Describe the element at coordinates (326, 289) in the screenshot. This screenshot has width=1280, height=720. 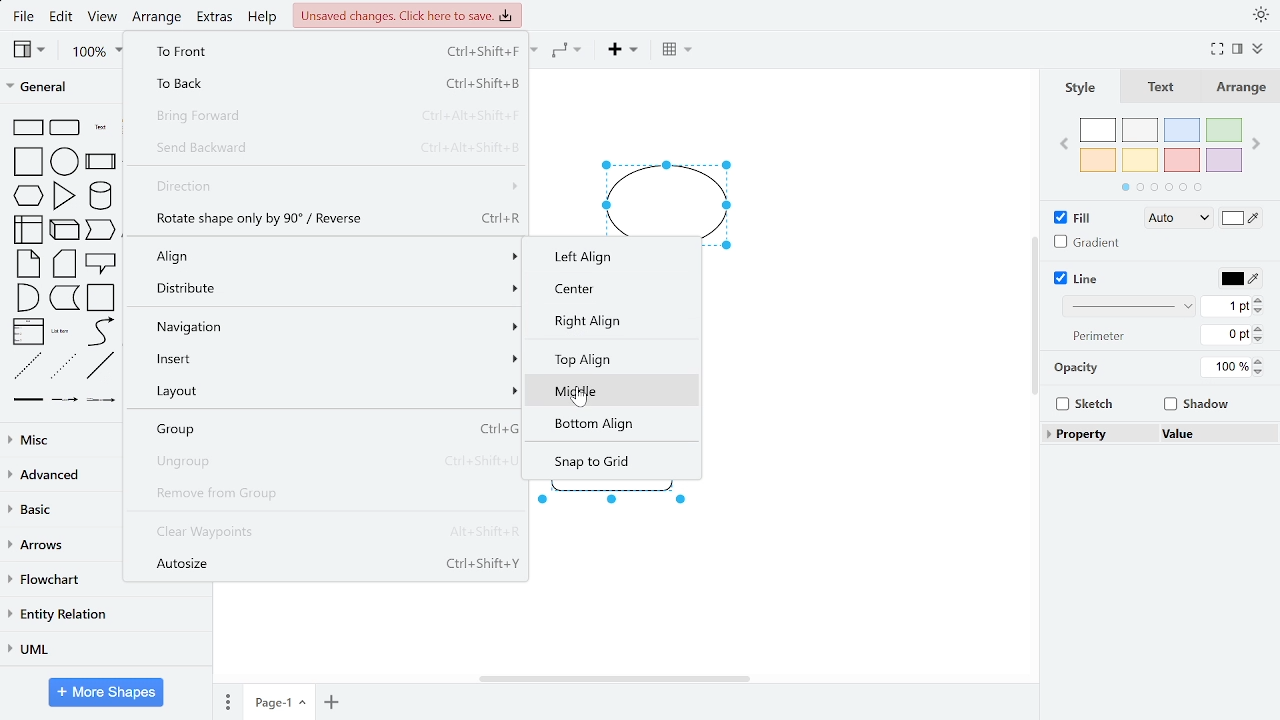
I see `distribute` at that location.